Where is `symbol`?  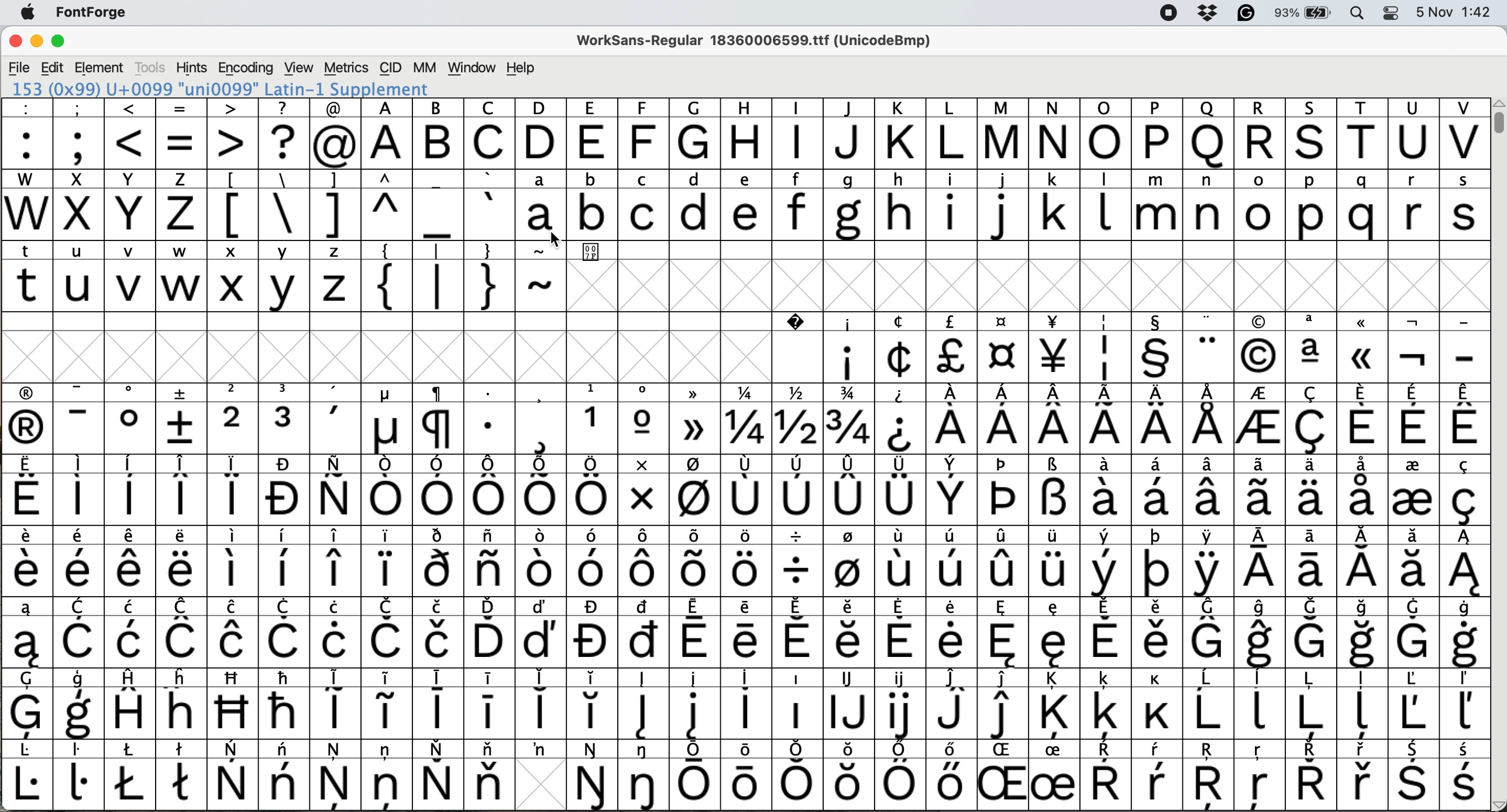
symbol is located at coordinates (133, 703).